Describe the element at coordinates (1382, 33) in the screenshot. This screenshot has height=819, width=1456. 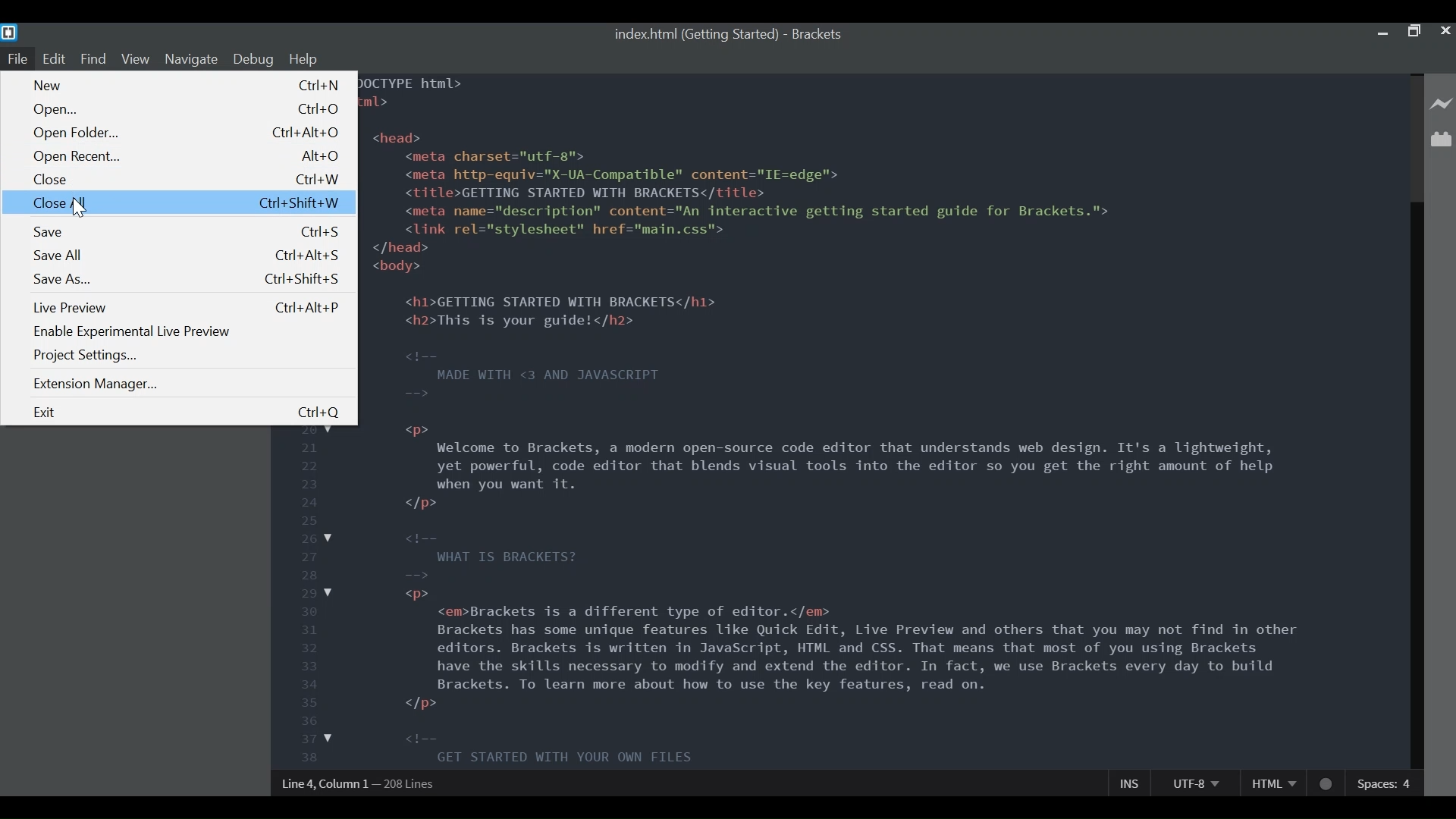
I see `minimize` at that location.